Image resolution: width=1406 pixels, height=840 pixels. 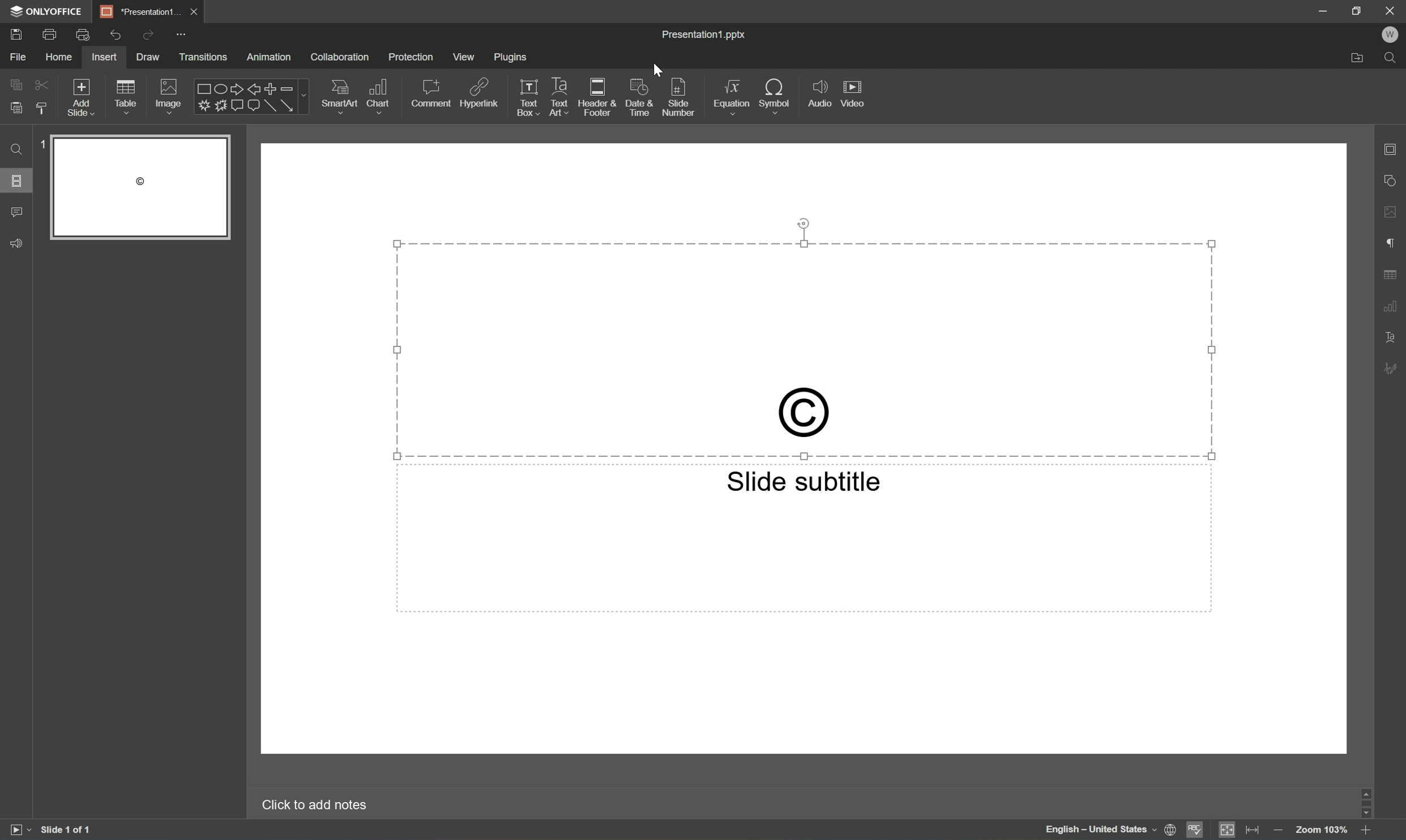 I want to click on Minimize, so click(x=1322, y=9).